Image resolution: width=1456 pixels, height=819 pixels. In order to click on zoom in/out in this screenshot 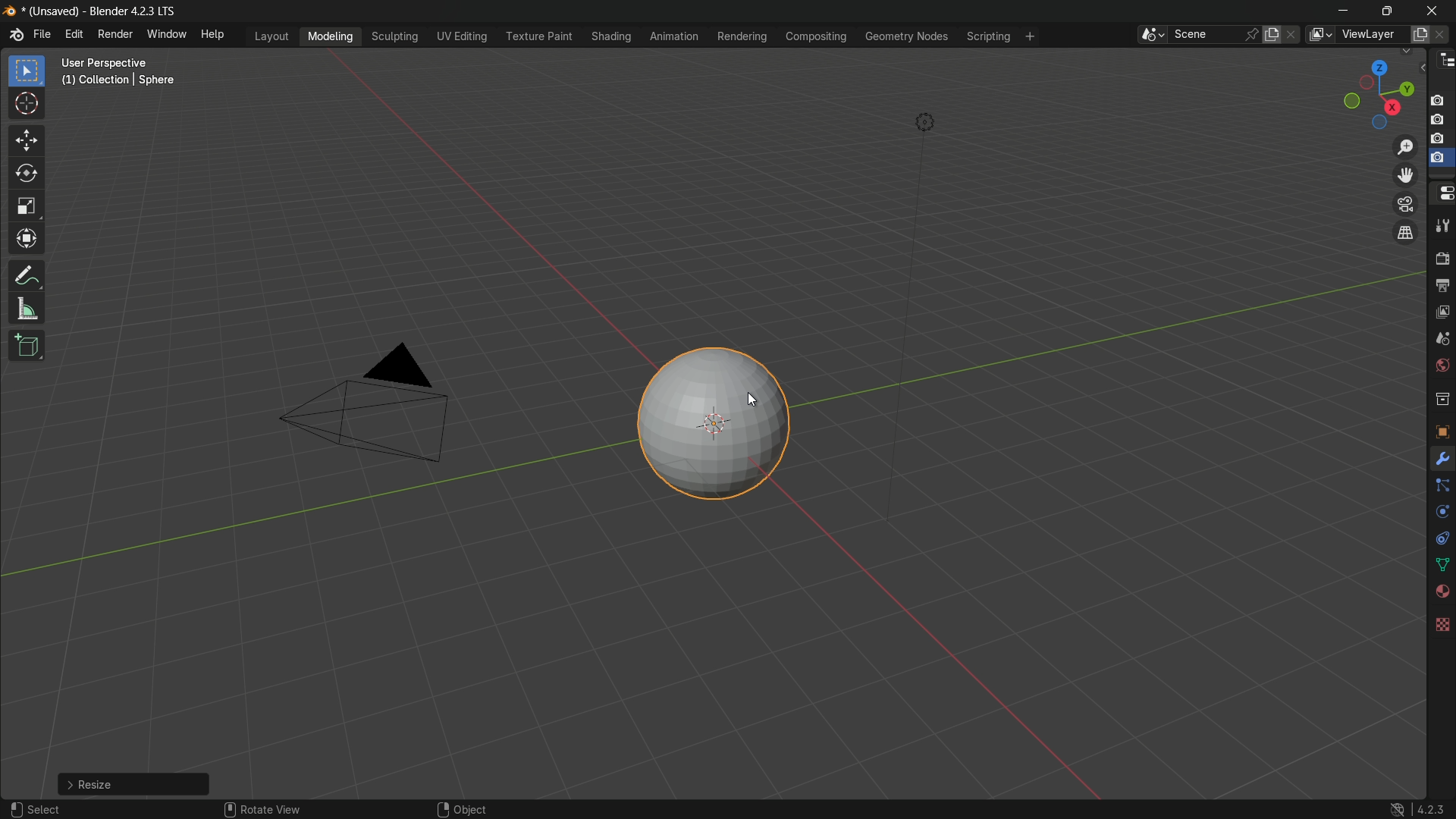, I will do `click(1404, 148)`.